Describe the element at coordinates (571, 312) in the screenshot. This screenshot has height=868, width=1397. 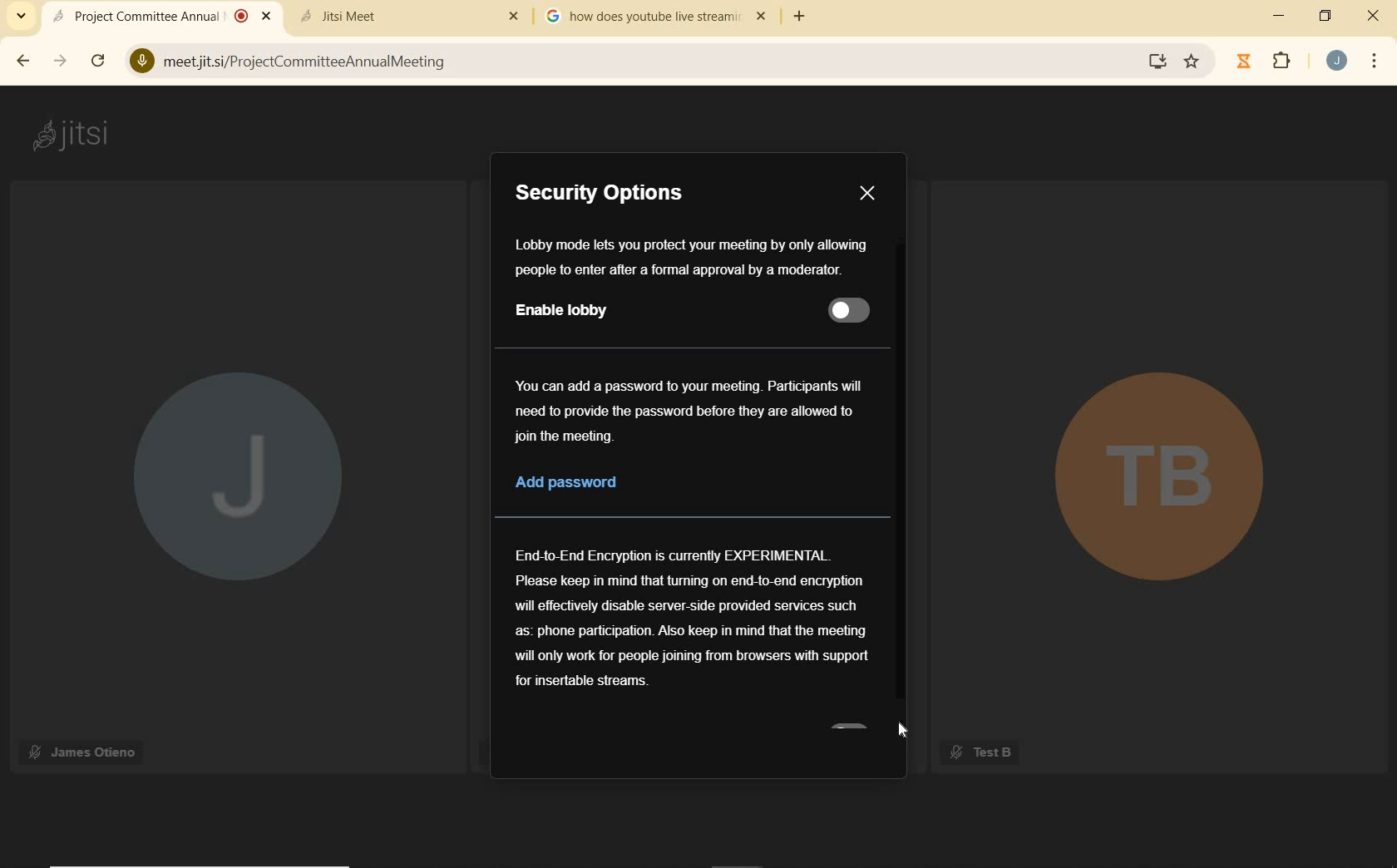
I see `ENABLE LOBBY` at that location.